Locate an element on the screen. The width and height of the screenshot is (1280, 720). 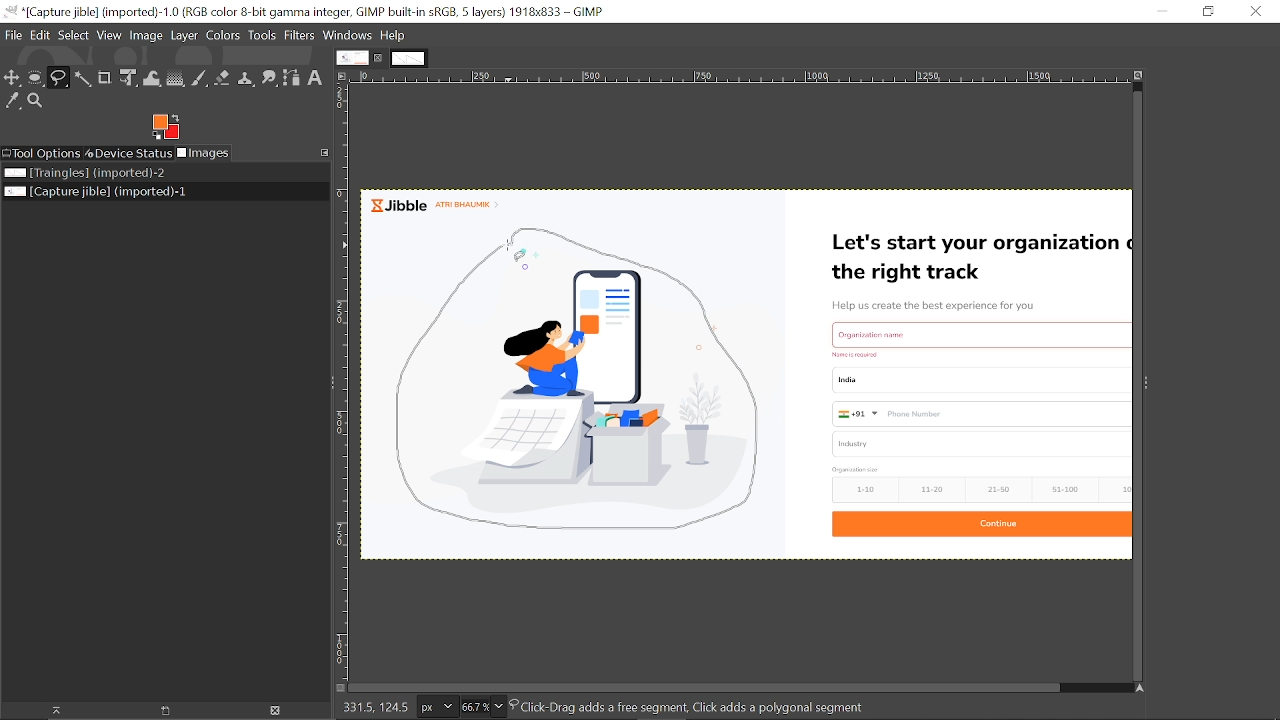
Access the image menu is located at coordinates (344, 77).